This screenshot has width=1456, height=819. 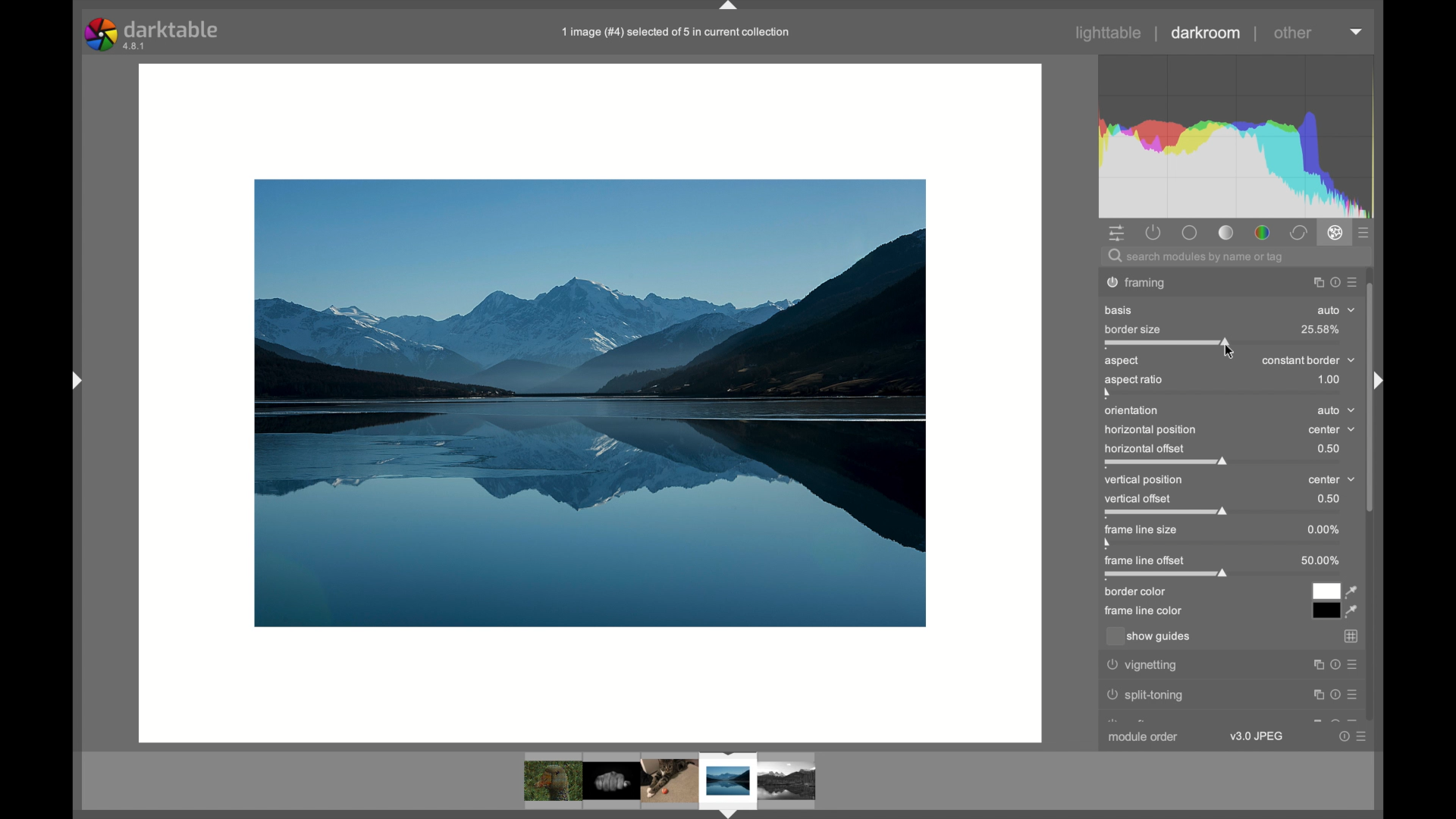 What do you see at coordinates (1168, 455) in the screenshot?
I see `horizontal offset slider` at bounding box center [1168, 455].